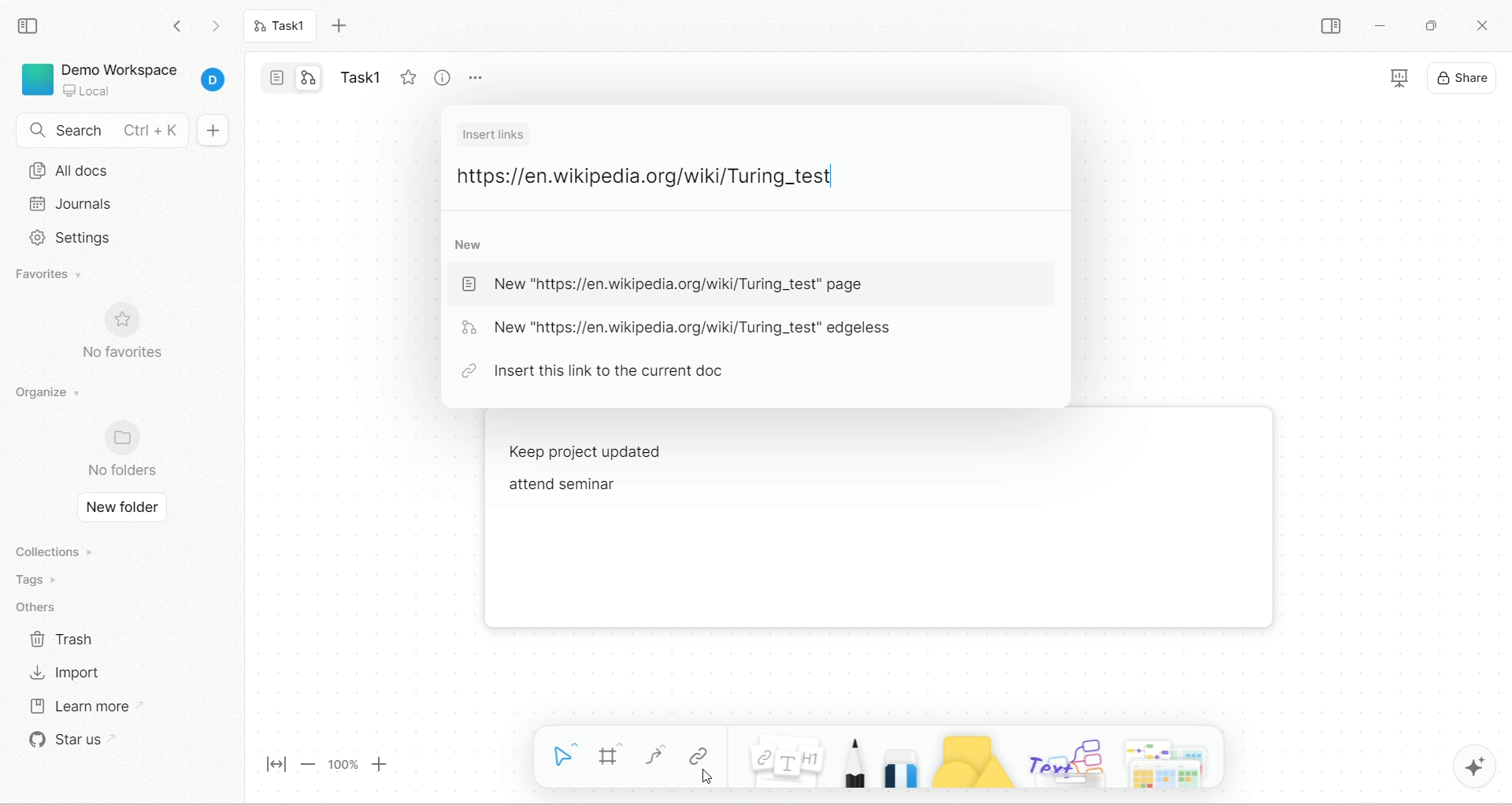  What do you see at coordinates (1396, 76) in the screenshot?
I see `display` at bounding box center [1396, 76].